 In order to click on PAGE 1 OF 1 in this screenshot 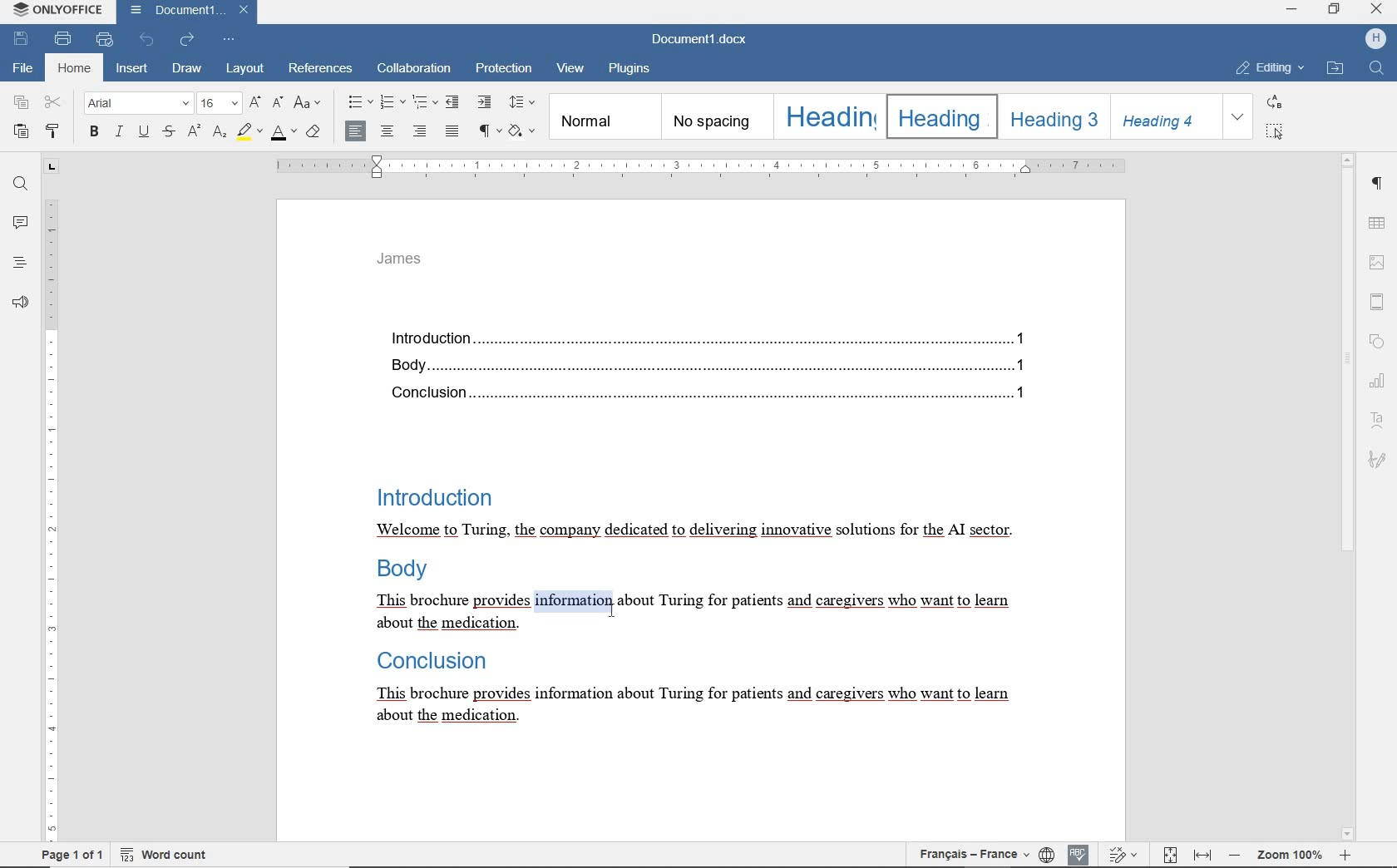, I will do `click(72, 855)`.